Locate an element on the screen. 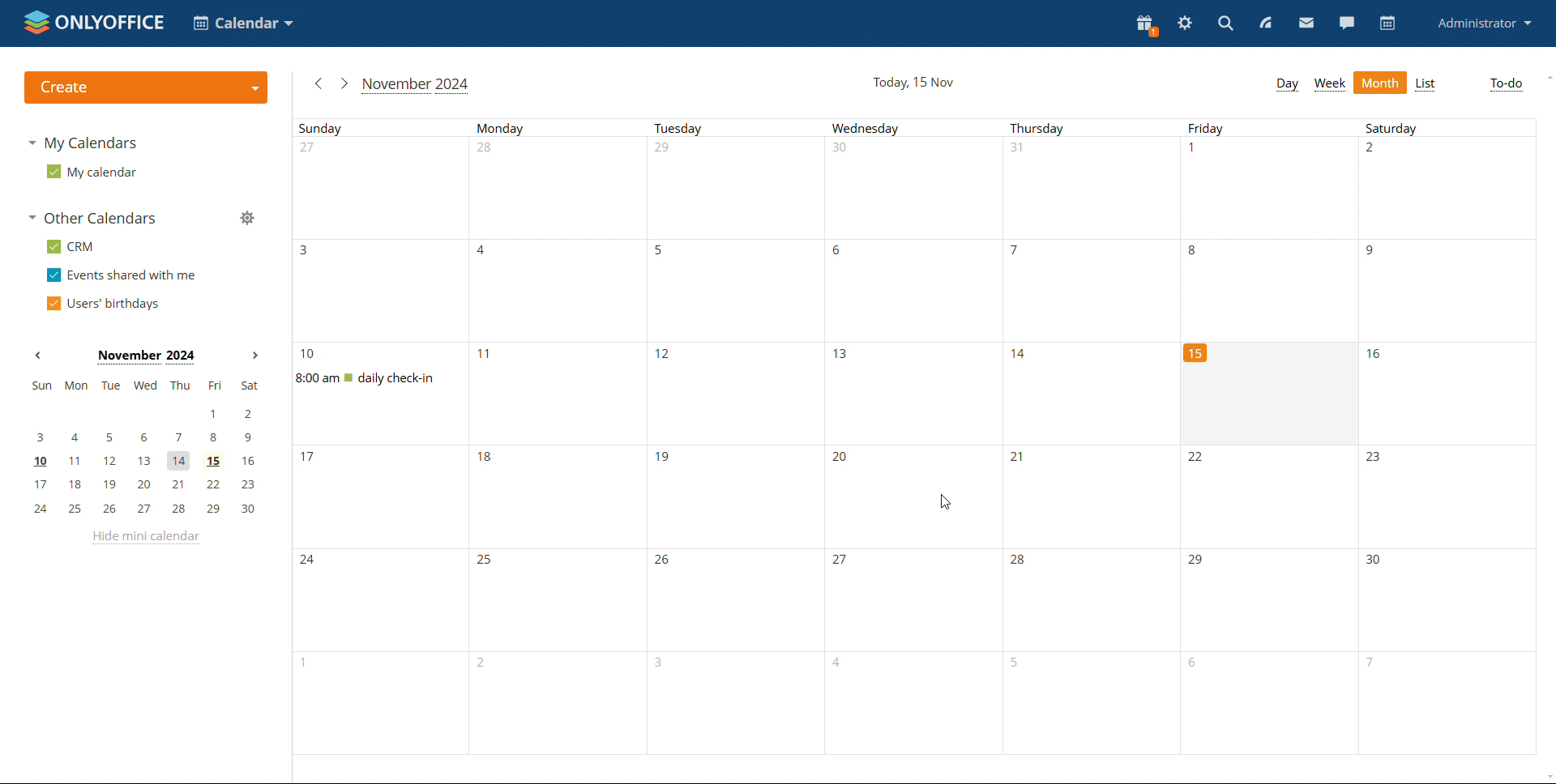 The height and width of the screenshot is (784, 1556). other calendars is located at coordinates (96, 219).